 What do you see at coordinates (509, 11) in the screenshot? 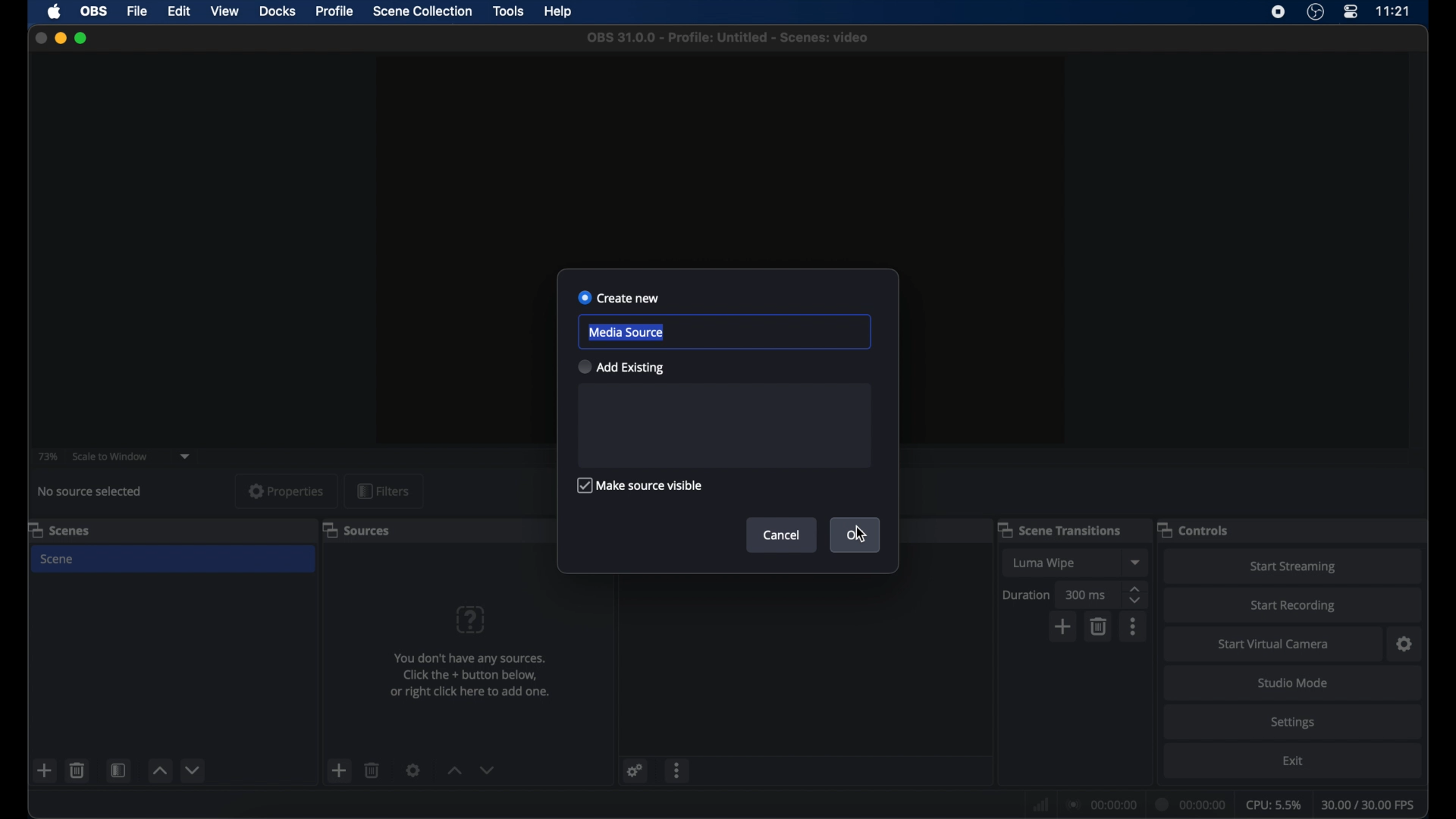
I see `tools` at bounding box center [509, 11].